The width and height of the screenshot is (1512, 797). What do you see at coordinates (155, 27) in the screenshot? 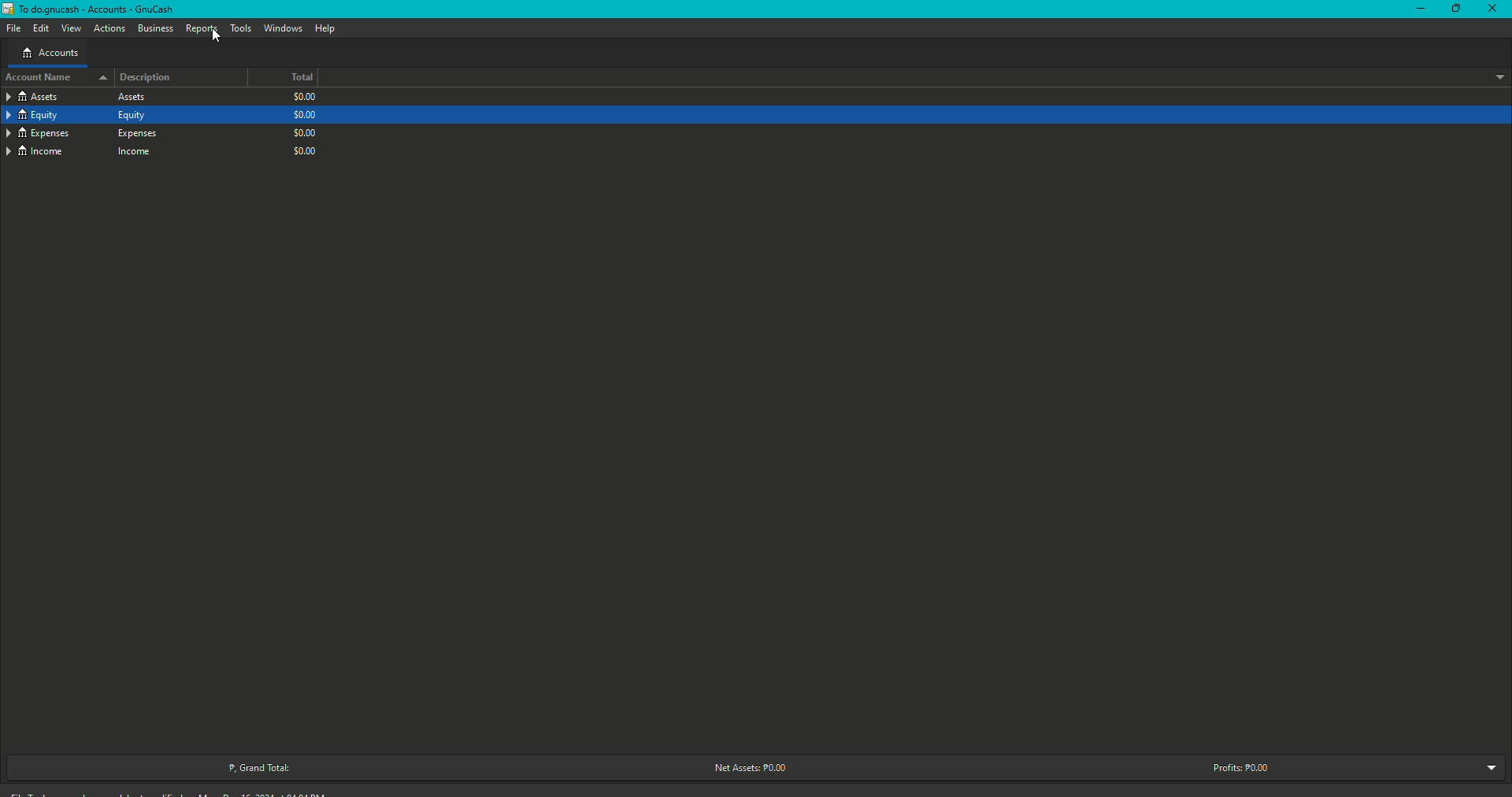
I see `Business` at bounding box center [155, 27].